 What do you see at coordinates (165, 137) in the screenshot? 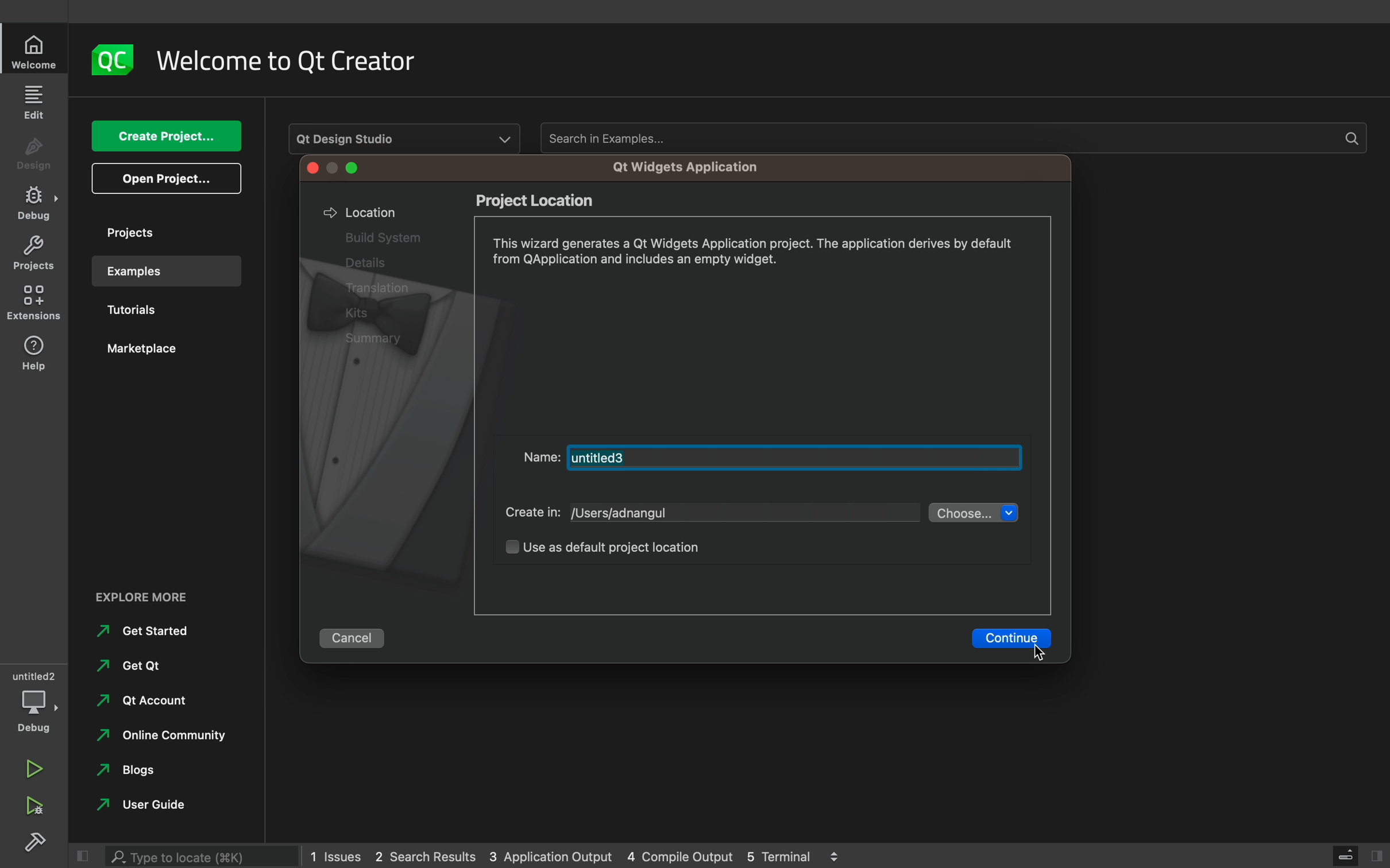
I see `create` at bounding box center [165, 137].